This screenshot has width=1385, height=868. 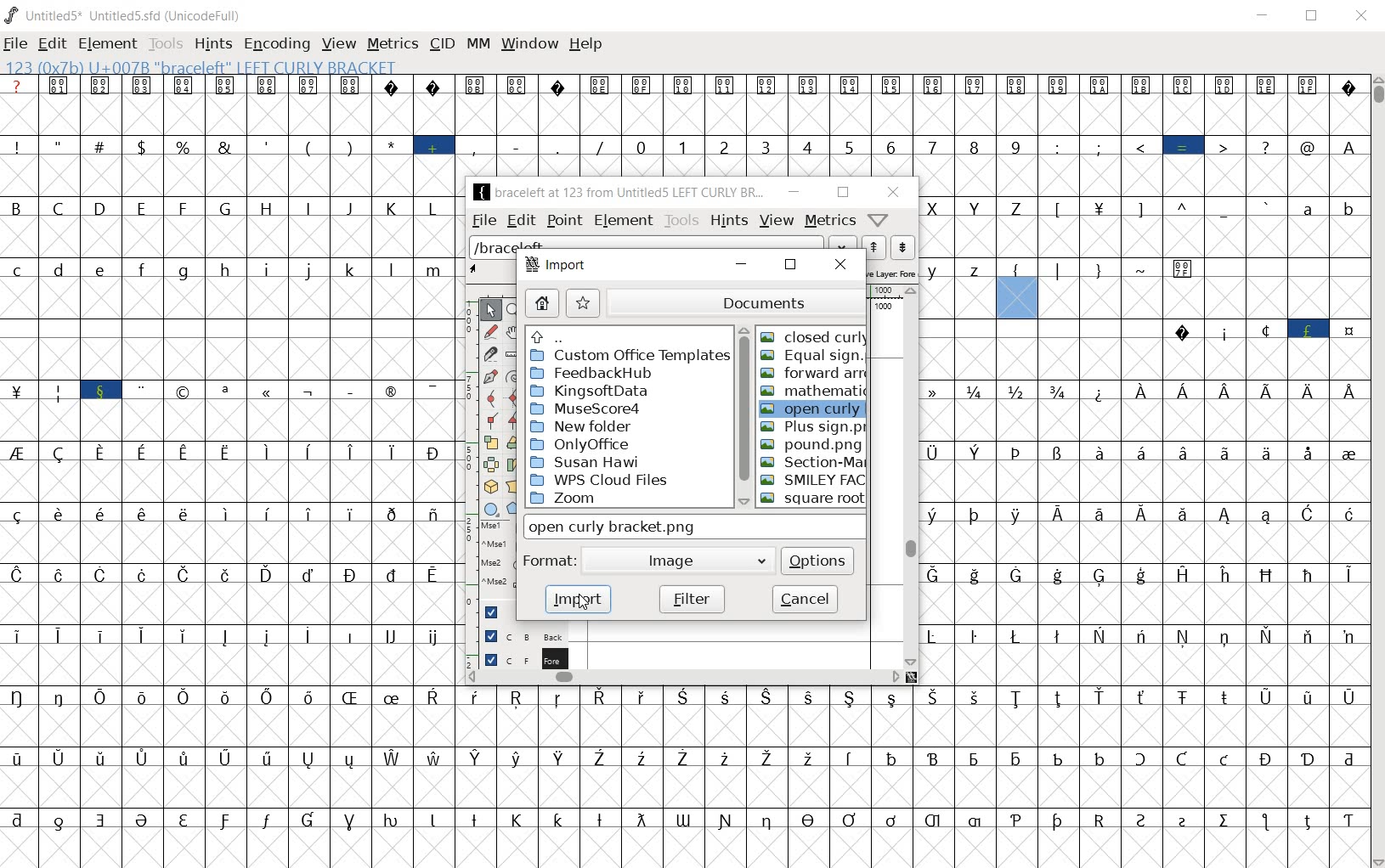 I want to click on close, so click(x=840, y=268).